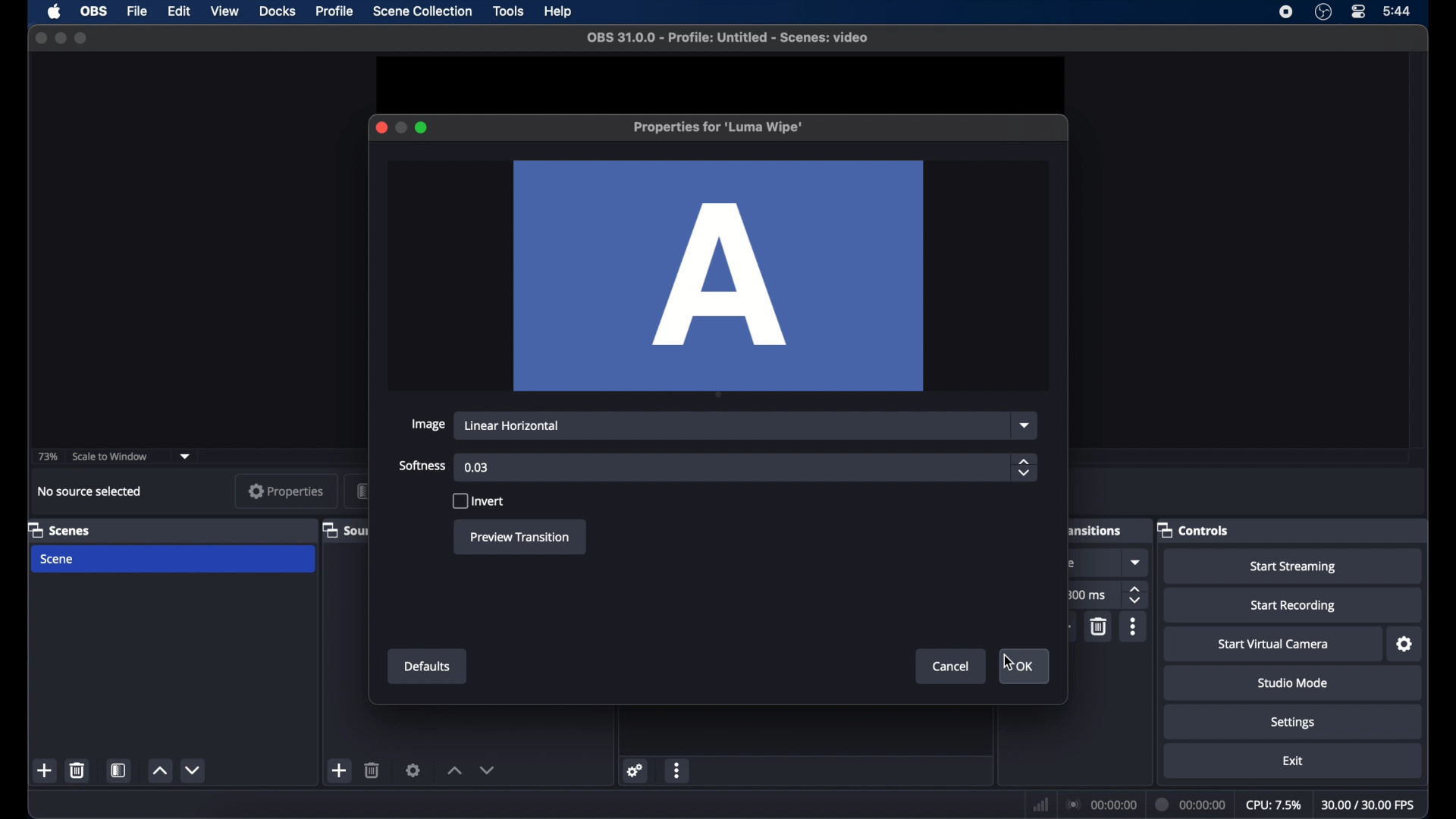 The height and width of the screenshot is (819, 1456). What do you see at coordinates (427, 425) in the screenshot?
I see `image` at bounding box center [427, 425].